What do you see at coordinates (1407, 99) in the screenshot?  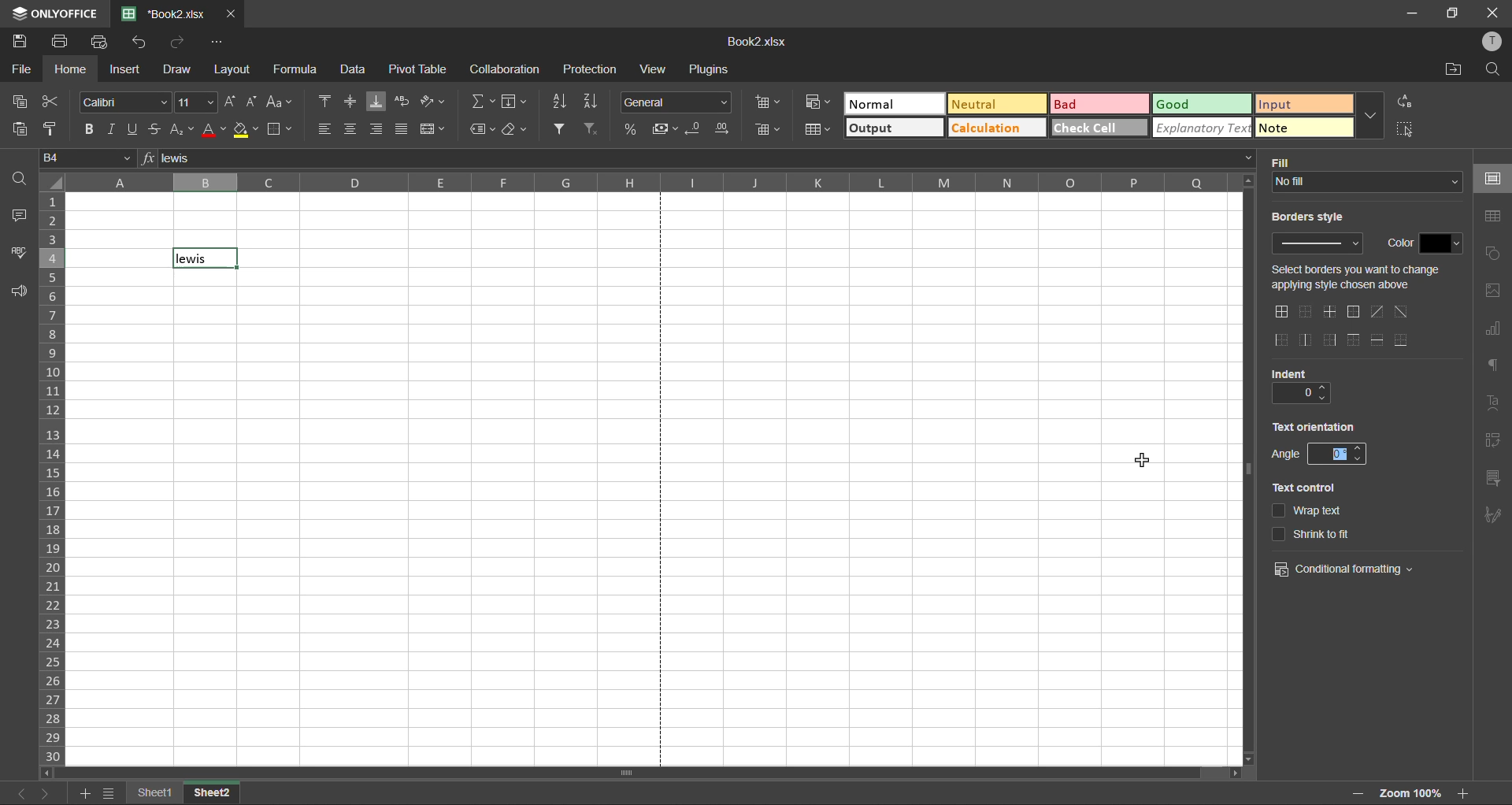 I see `replace` at bounding box center [1407, 99].